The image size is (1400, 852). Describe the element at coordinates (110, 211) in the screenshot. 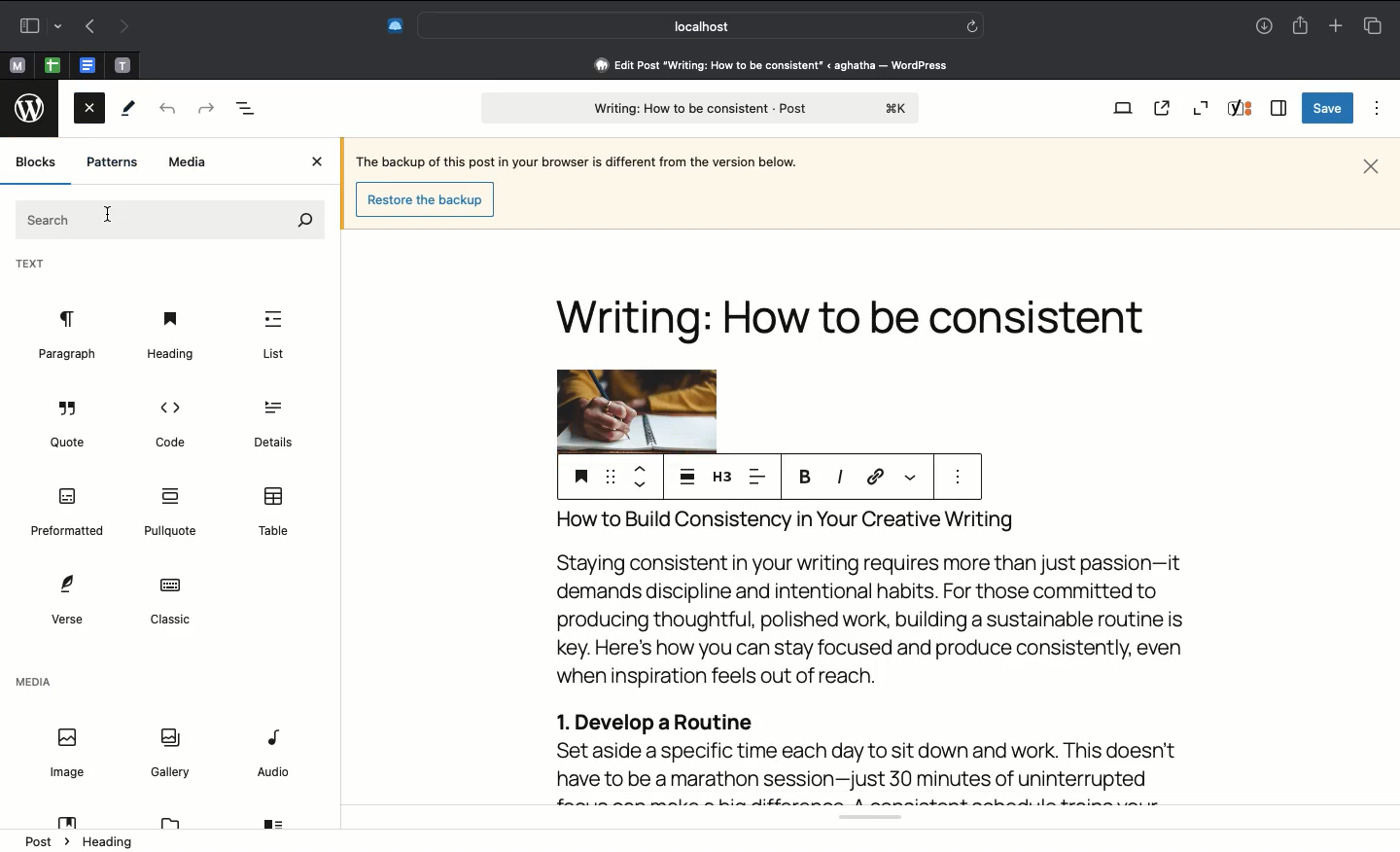

I see `cursor` at that location.